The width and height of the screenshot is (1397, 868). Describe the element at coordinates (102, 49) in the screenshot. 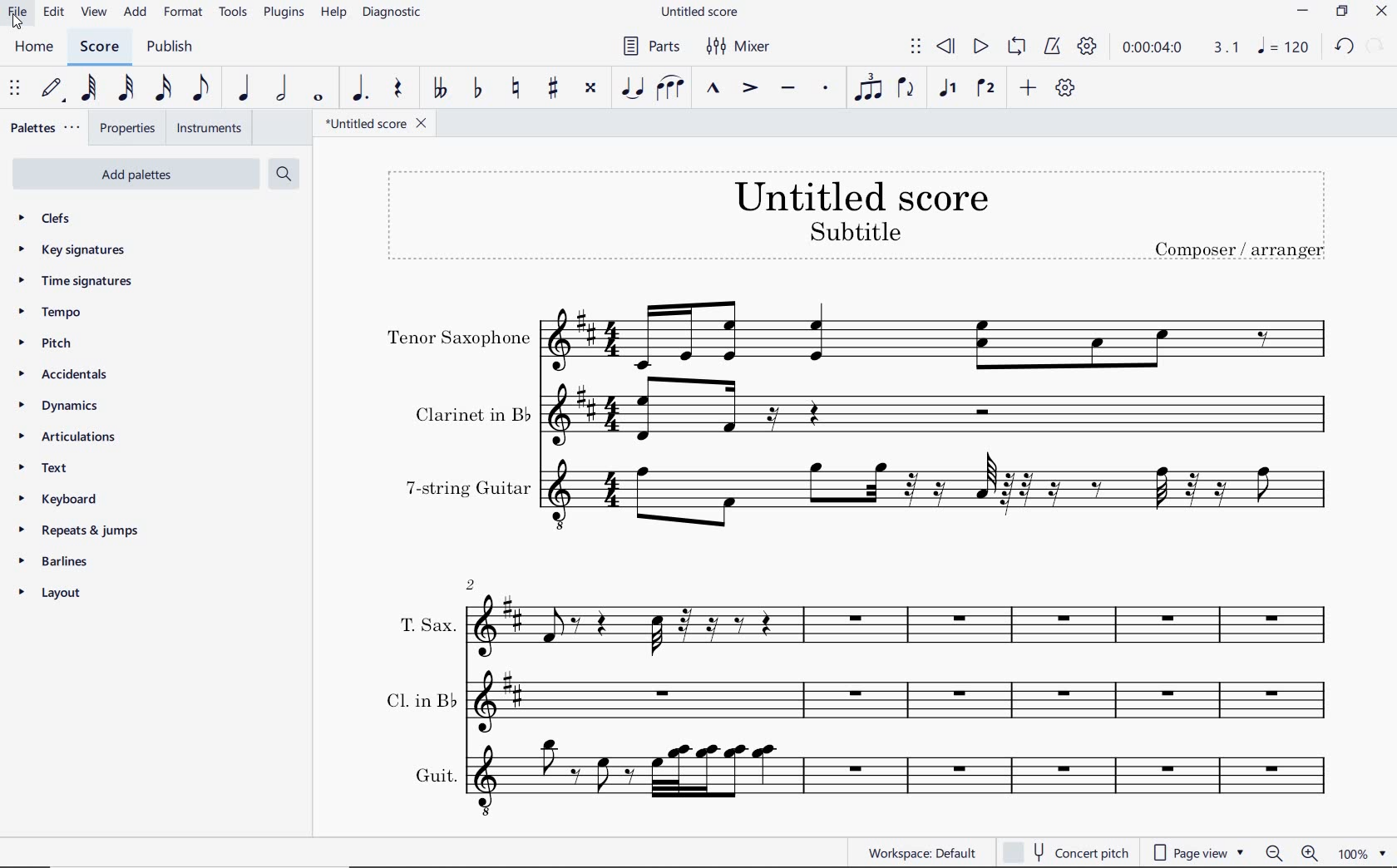

I see `SCORE` at that location.